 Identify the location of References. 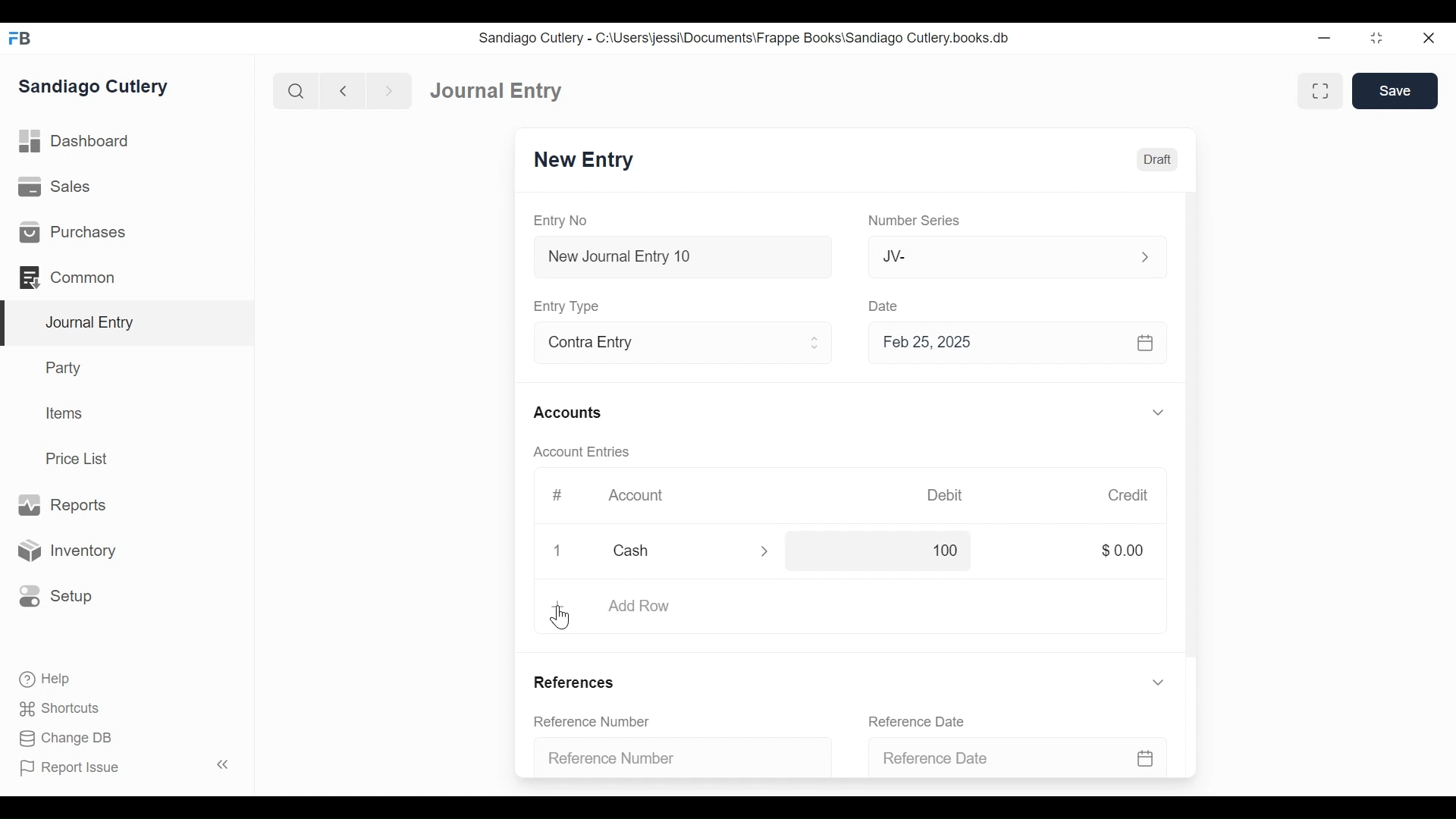
(575, 682).